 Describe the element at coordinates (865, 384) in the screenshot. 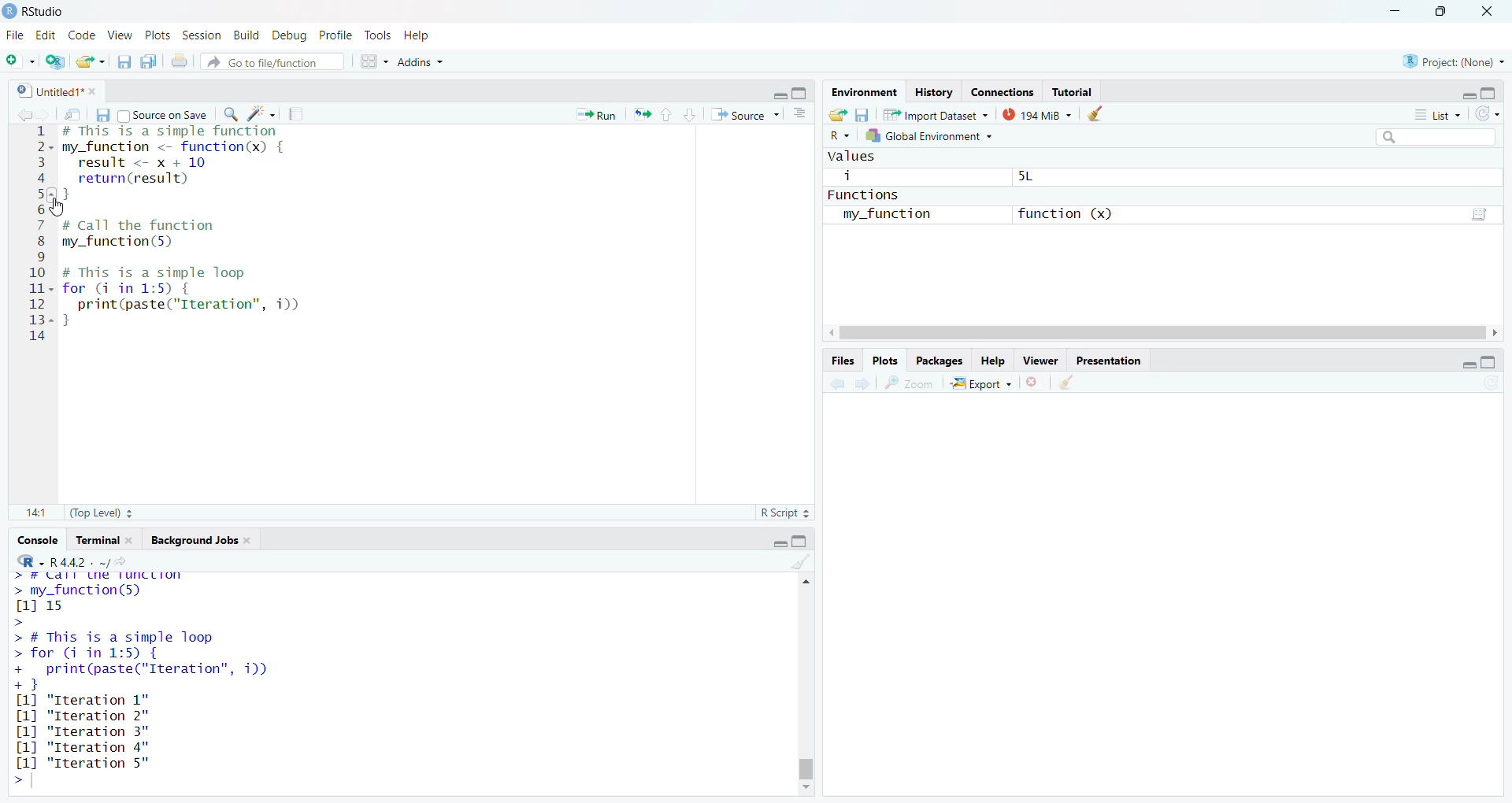

I see `next plot` at that location.